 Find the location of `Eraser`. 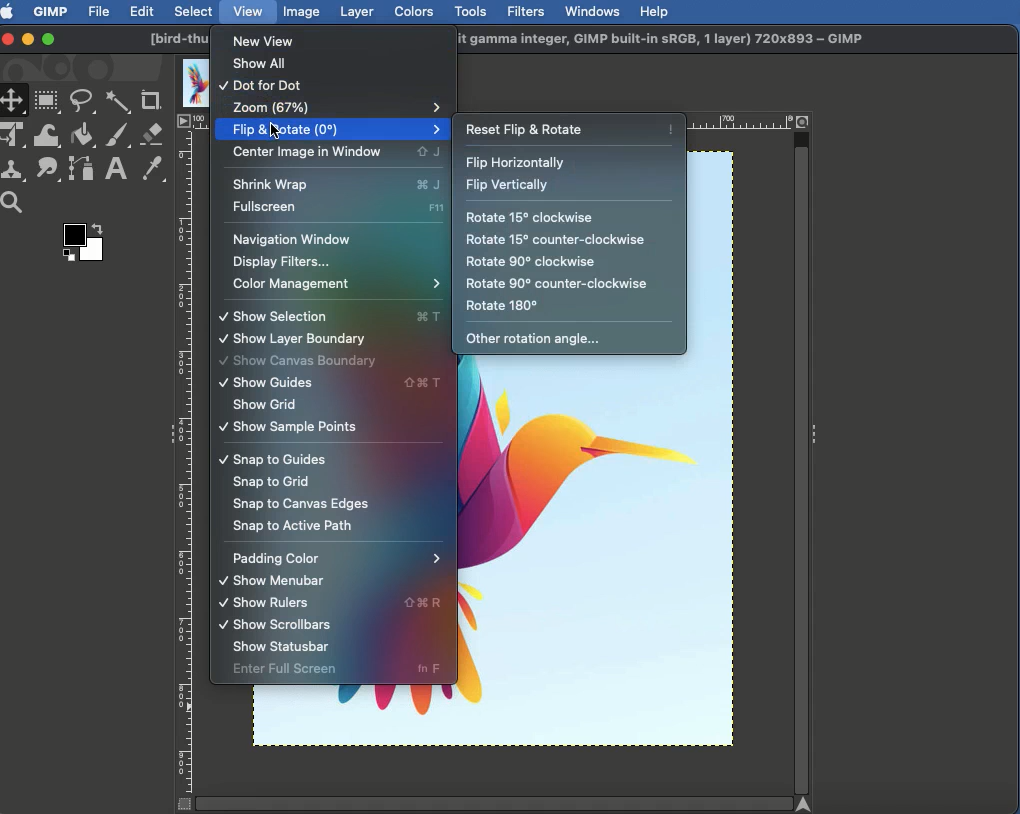

Eraser is located at coordinates (153, 135).